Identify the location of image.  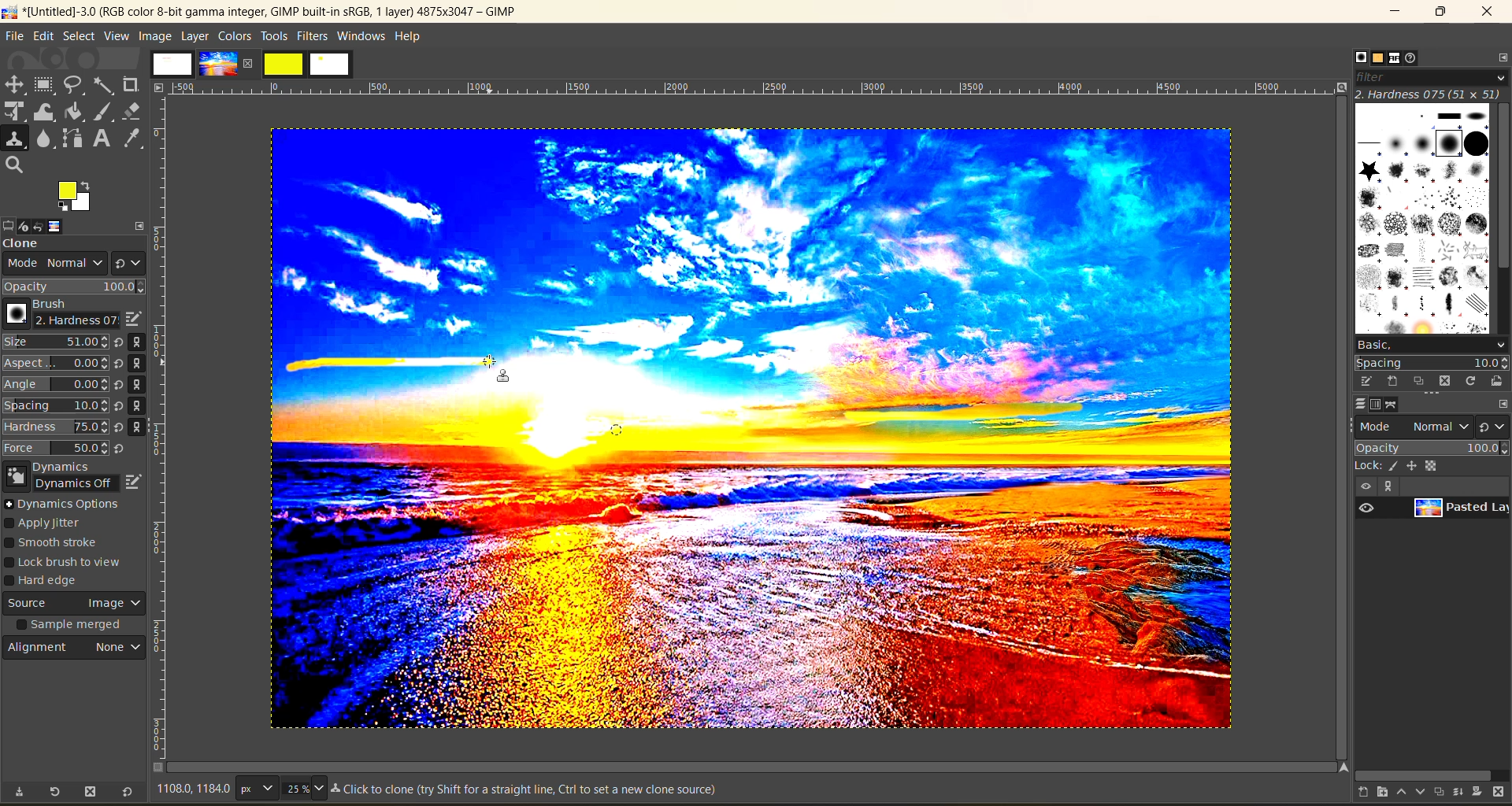
(217, 64).